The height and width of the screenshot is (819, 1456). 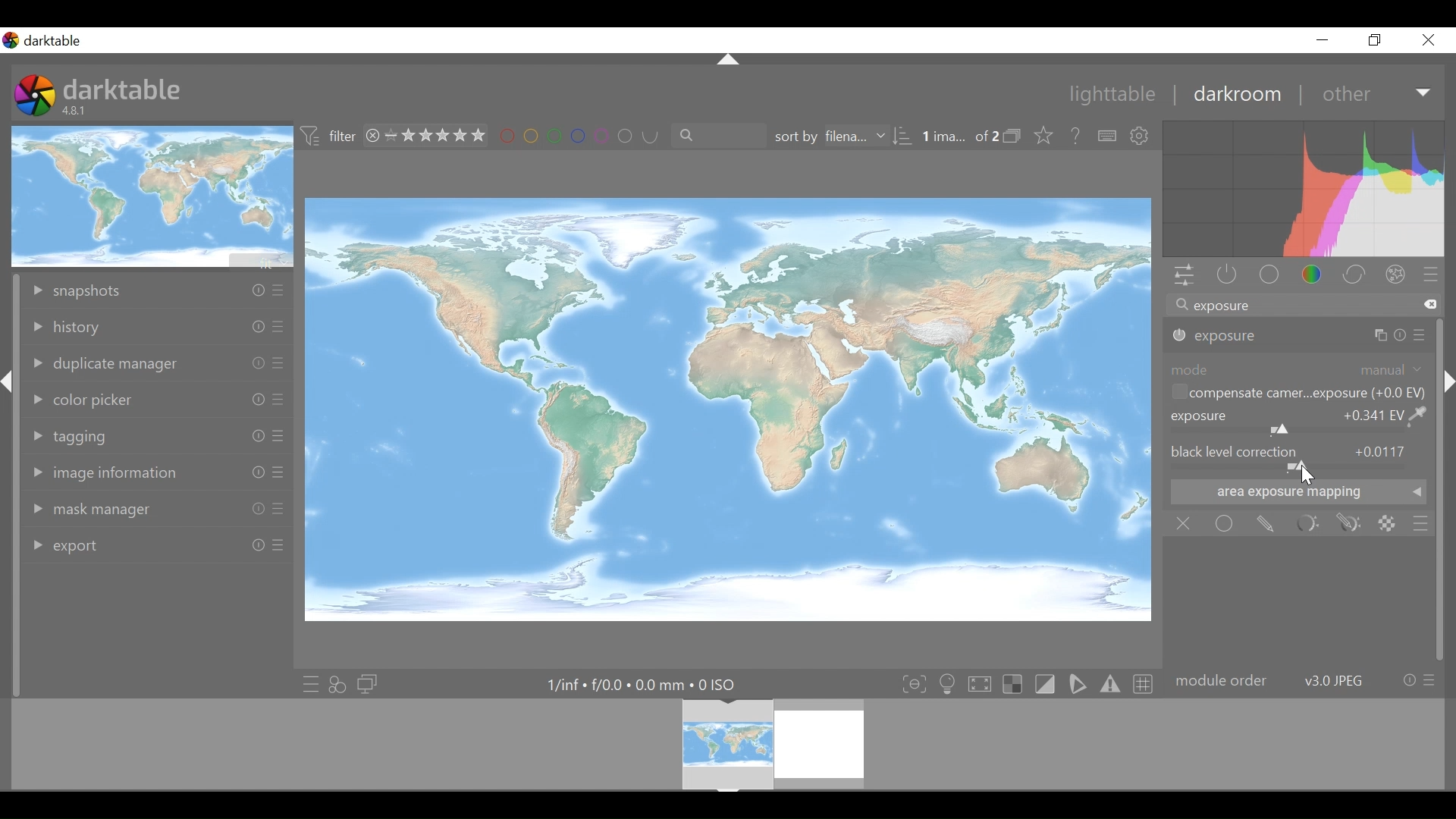 I want to click on quick access for applying any of styles, so click(x=337, y=682).